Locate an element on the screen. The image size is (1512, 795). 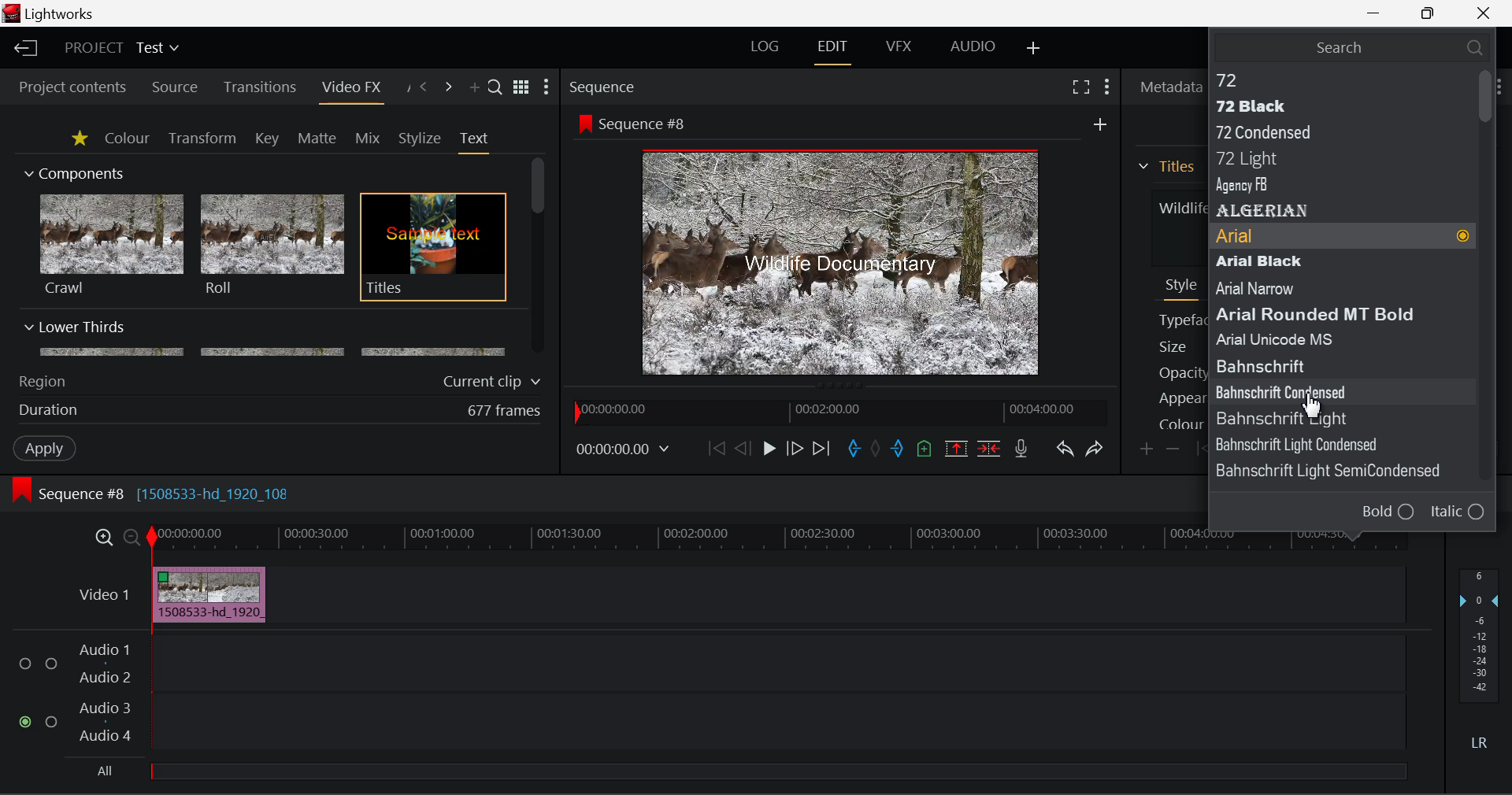
Duration is located at coordinates (50, 411).